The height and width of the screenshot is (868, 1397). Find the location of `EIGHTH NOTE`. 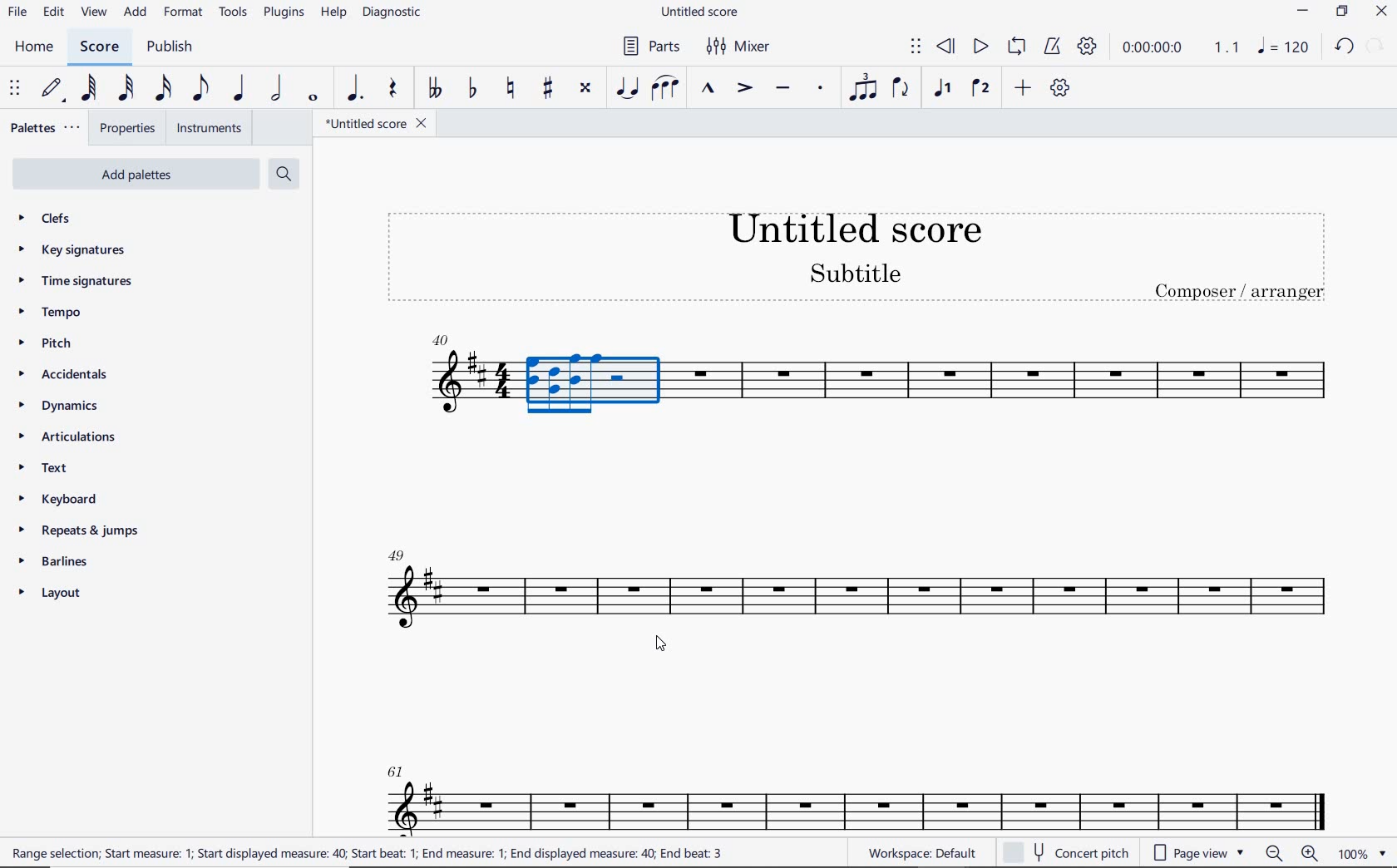

EIGHTH NOTE is located at coordinates (199, 89).